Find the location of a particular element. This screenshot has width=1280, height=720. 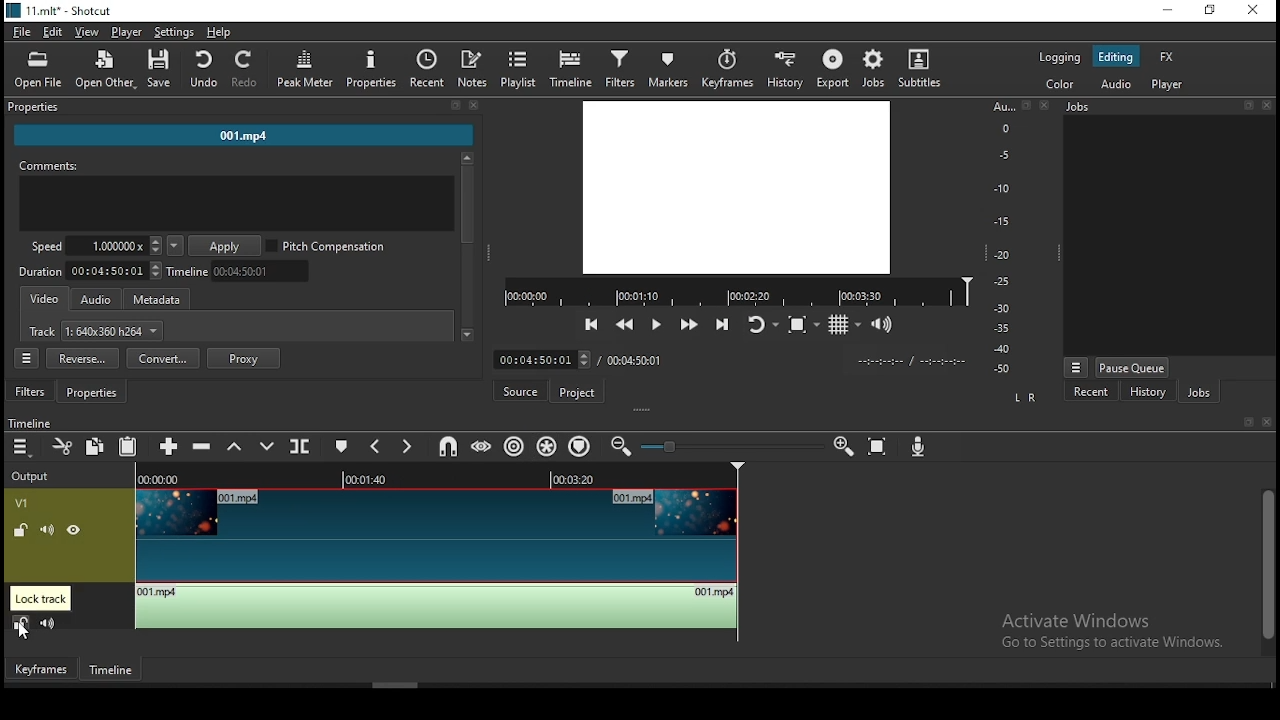

jobs is located at coordinates (1196, 392).